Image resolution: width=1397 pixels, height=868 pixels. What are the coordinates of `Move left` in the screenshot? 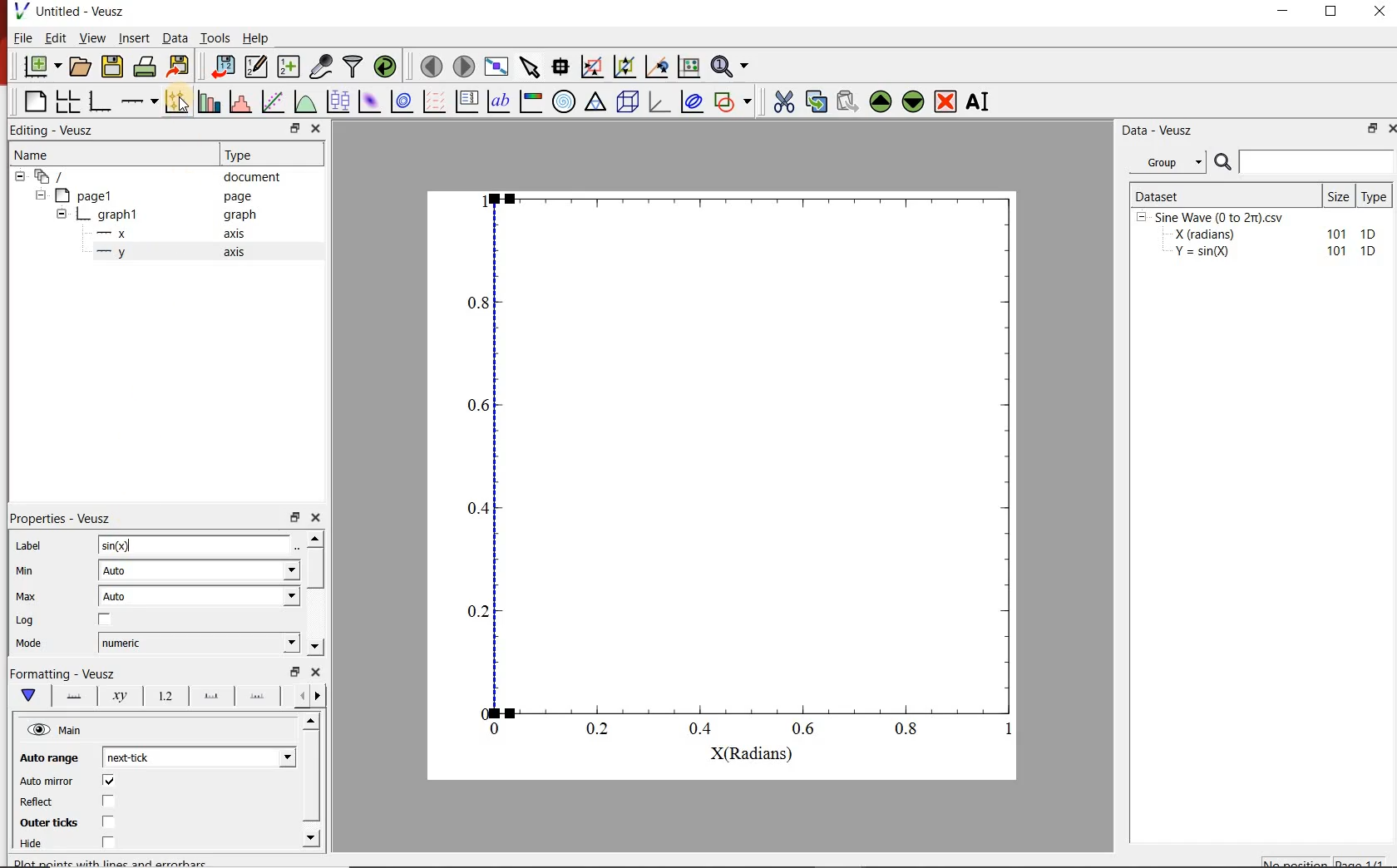 It's located at (299, 695).